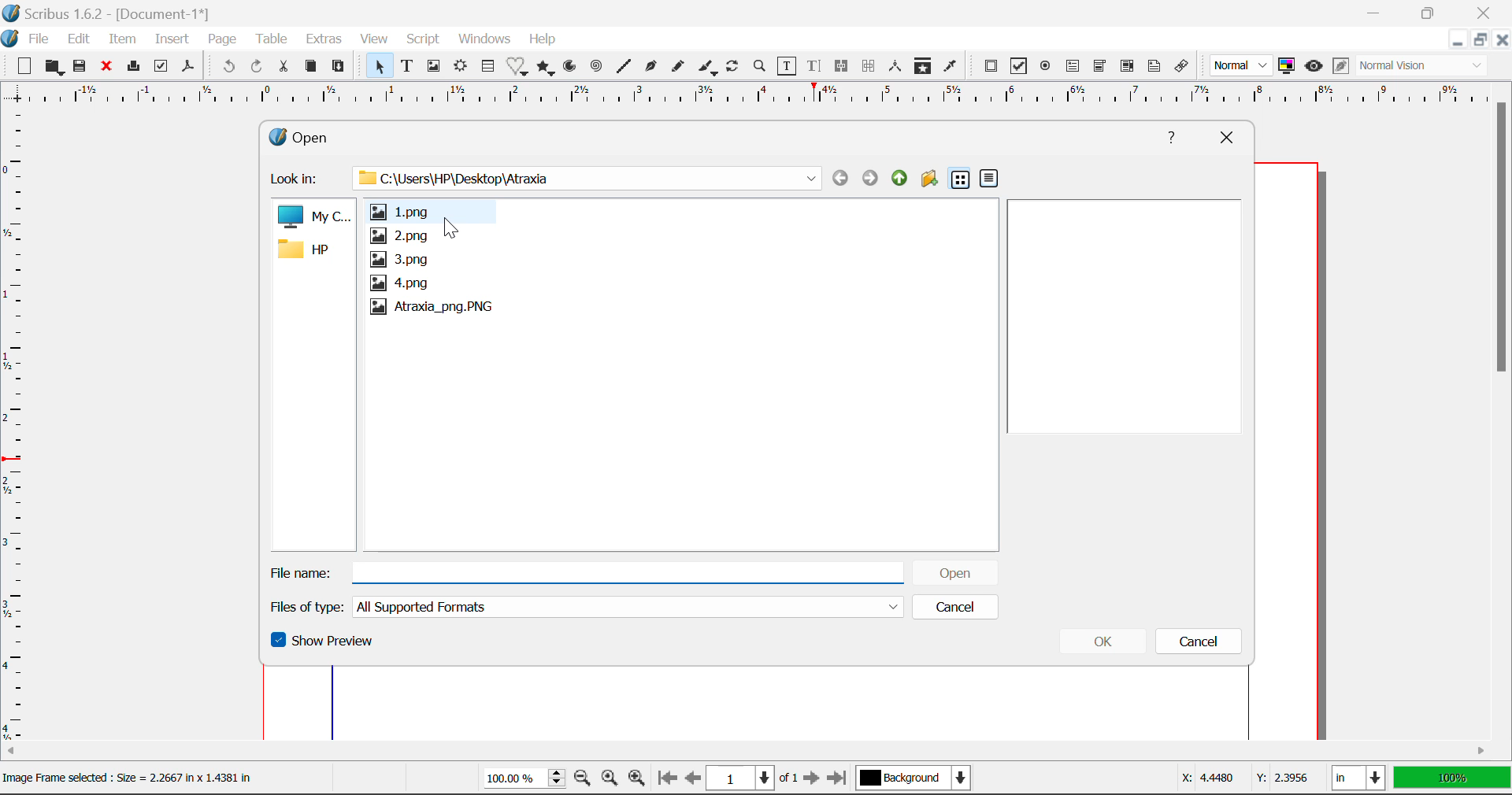  What do you see at coordinates (926, 68) in the screenshot?
I see `Copy Item Properties` at bounding box center [926, 68].